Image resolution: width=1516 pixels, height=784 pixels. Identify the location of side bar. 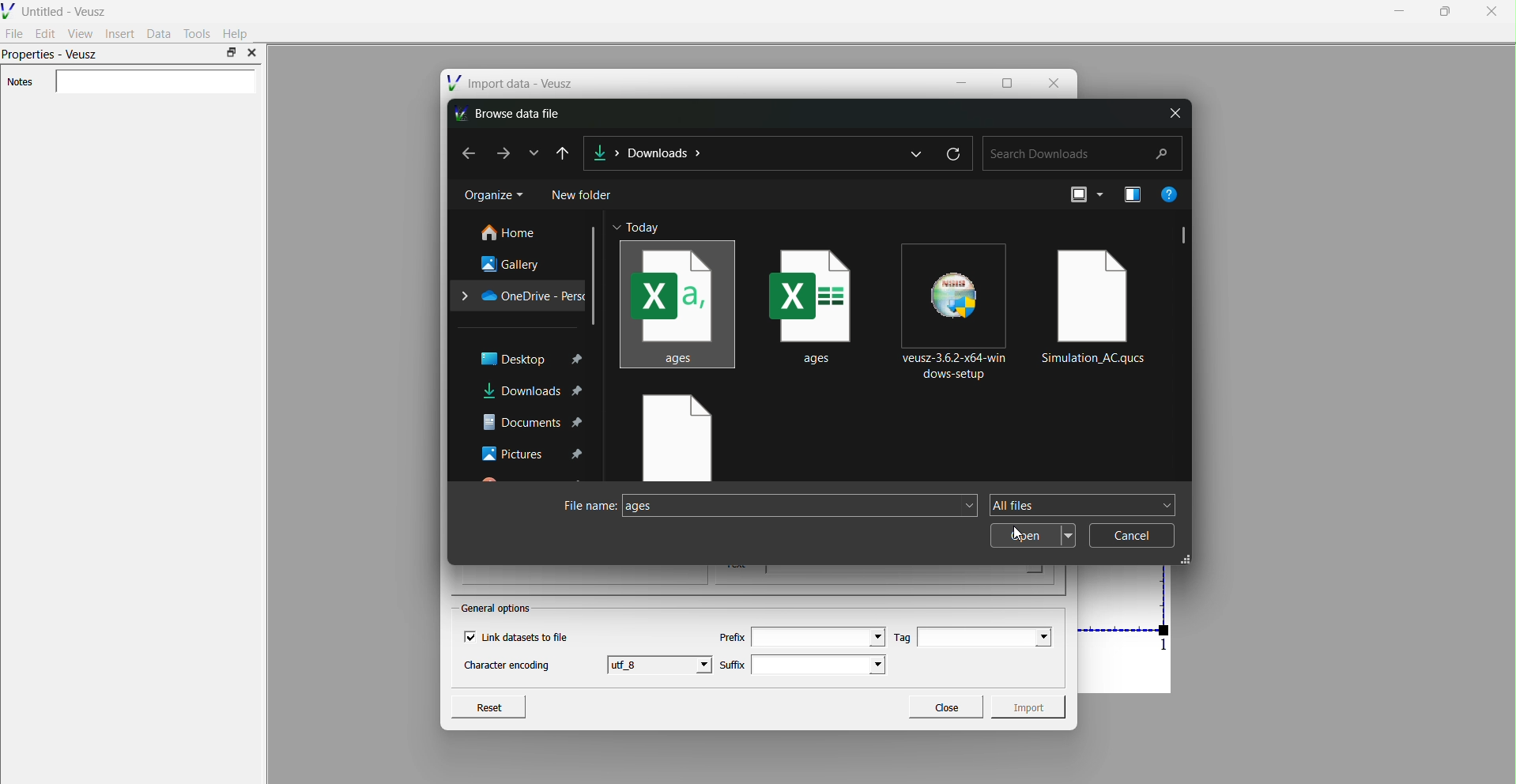
(1185, 238).